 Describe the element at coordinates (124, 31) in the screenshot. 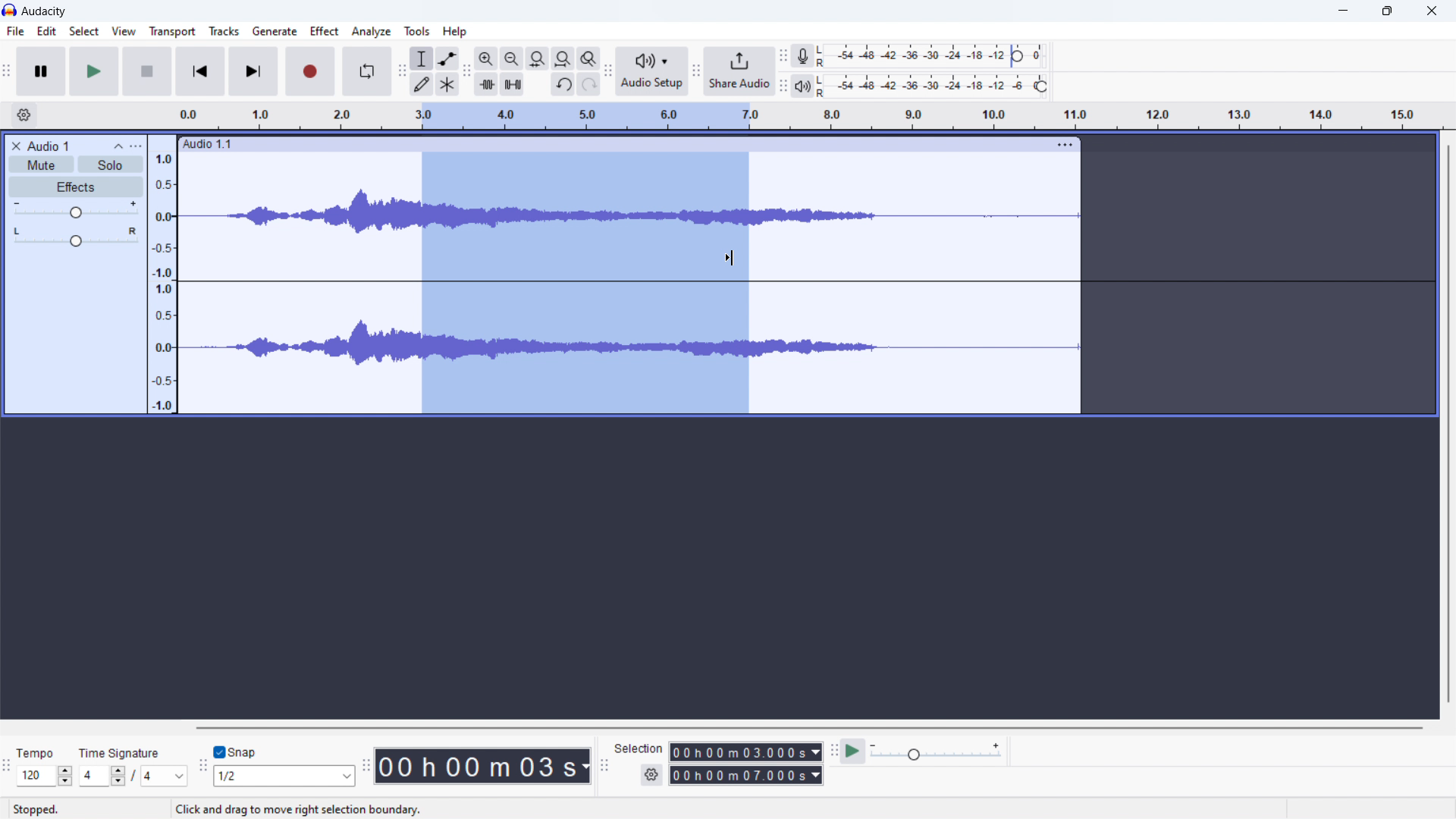

I see `view` at that location.